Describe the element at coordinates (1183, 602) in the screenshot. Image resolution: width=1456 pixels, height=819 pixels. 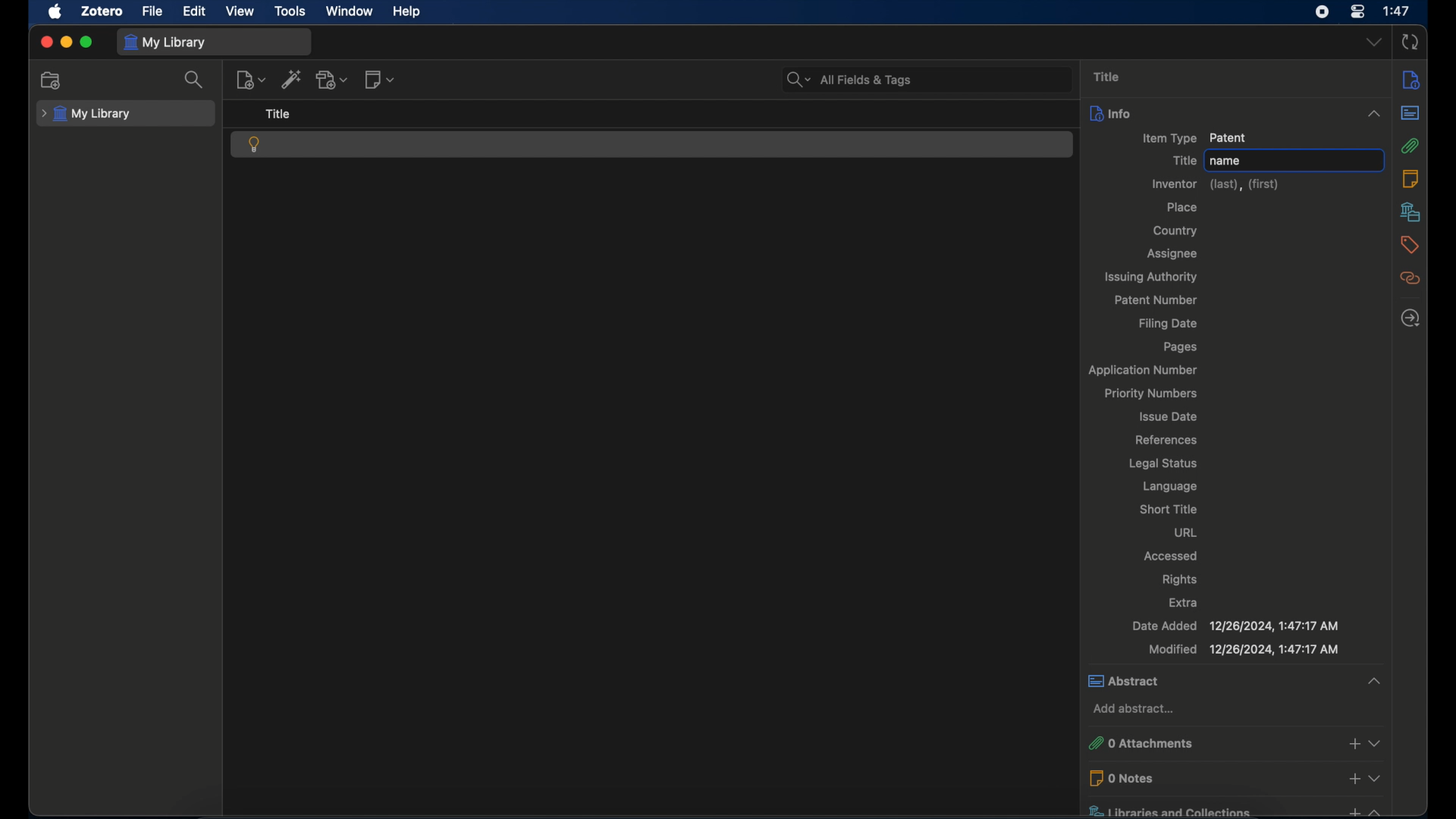
I see `extra` at that location.